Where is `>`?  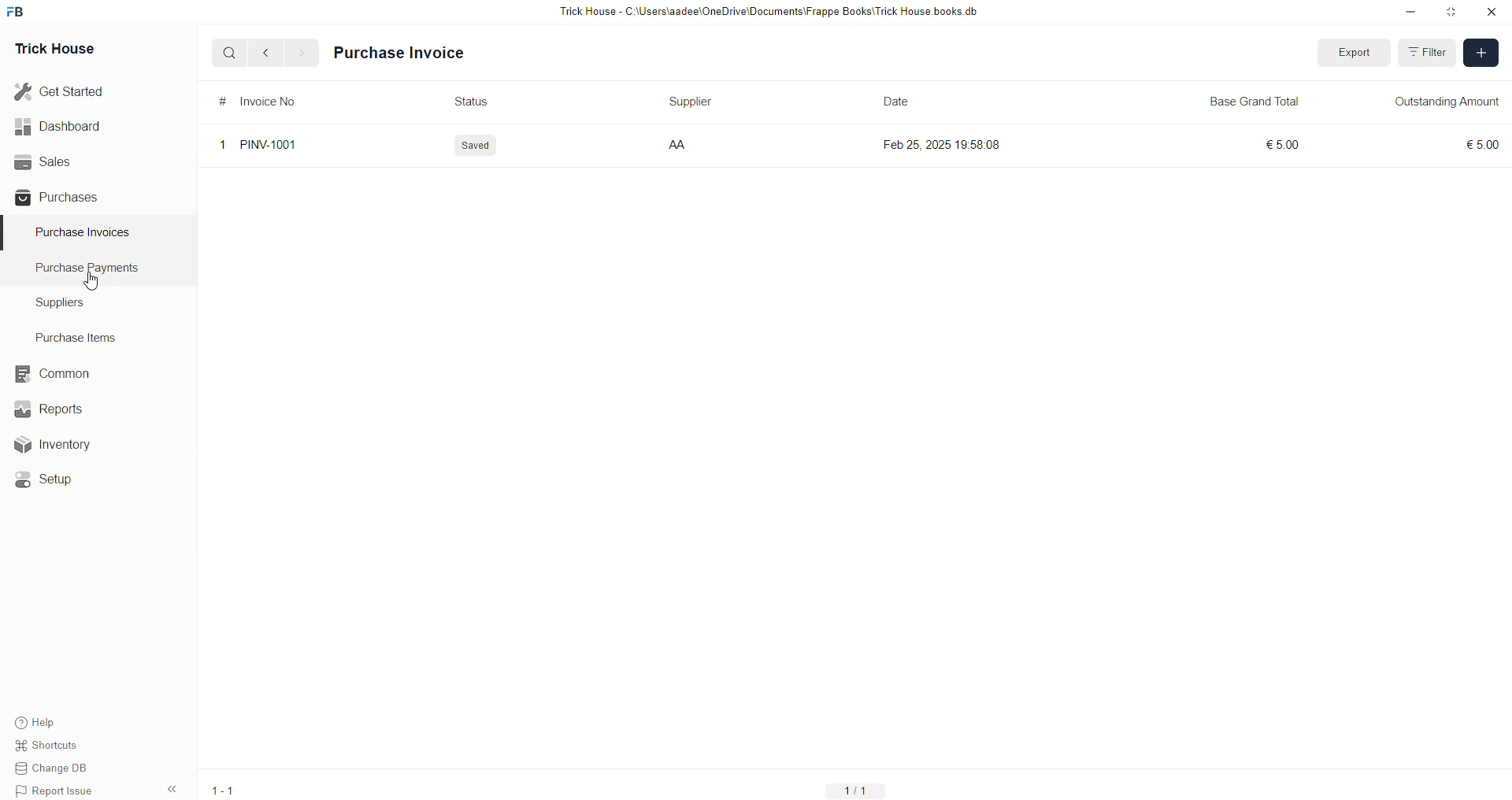
> is located at coordinates (301, 53).